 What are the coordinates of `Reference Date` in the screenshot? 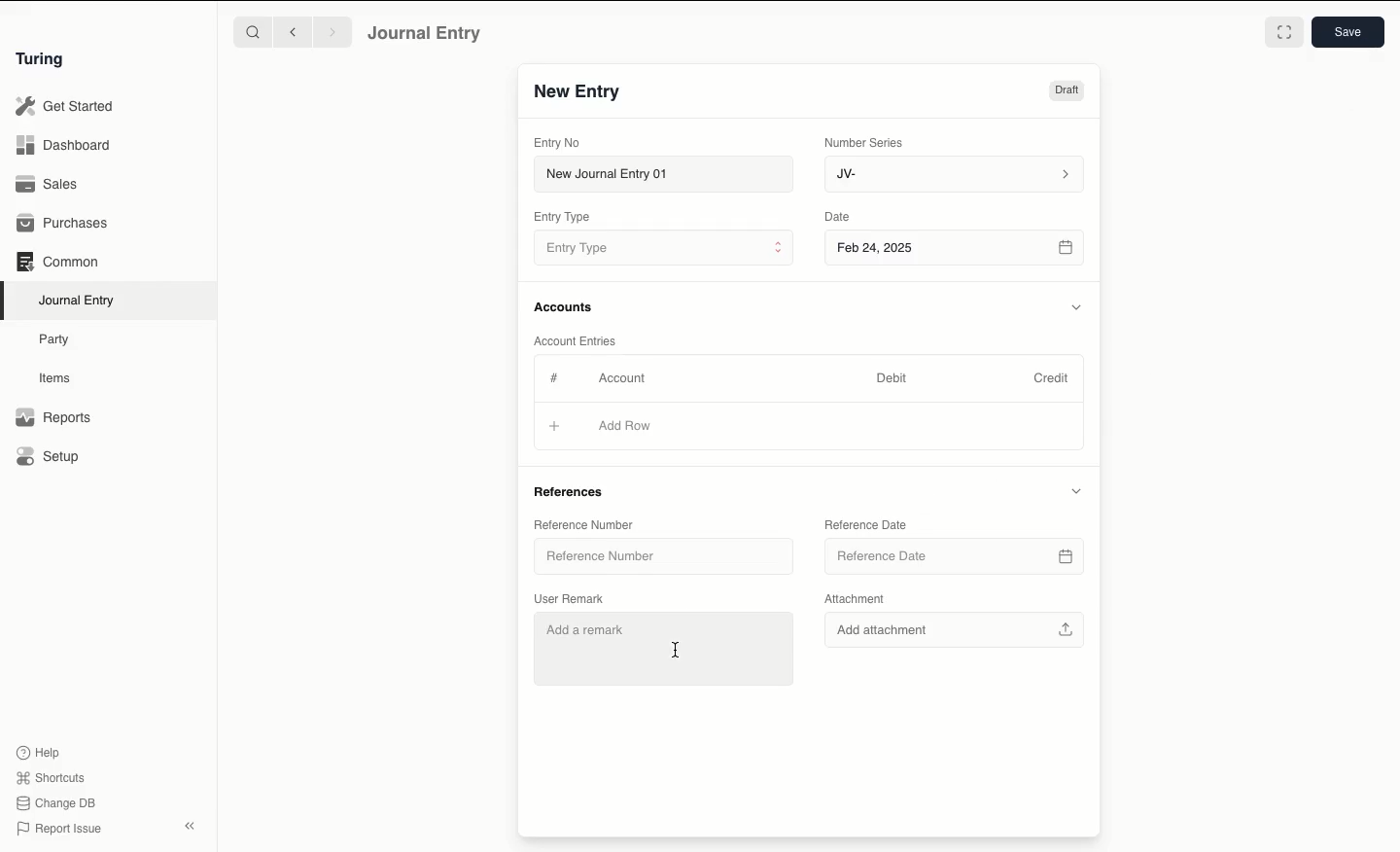 It's located at (865, 525).